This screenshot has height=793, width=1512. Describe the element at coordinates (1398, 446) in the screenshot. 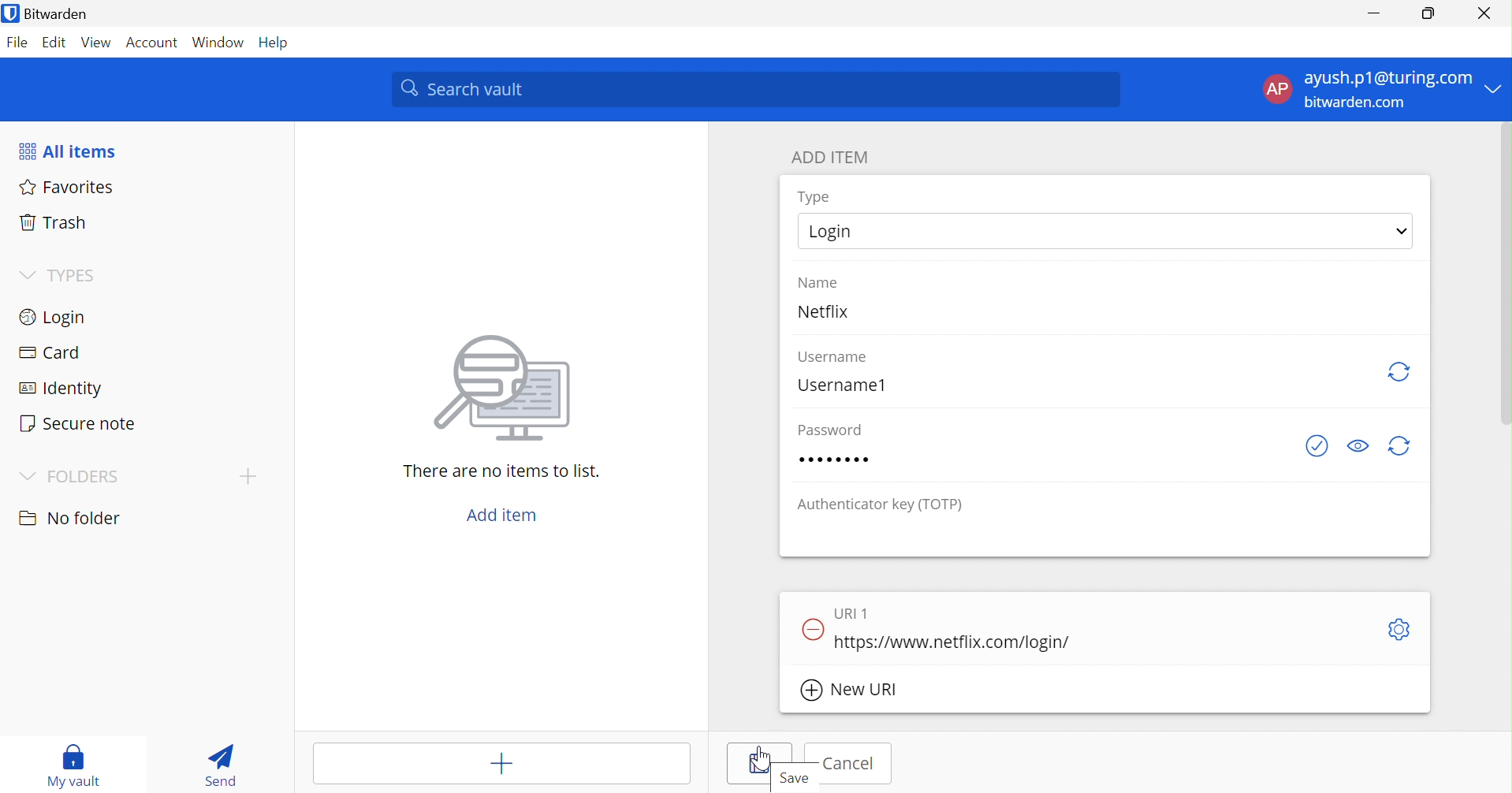

I see `Generate password` at that location.